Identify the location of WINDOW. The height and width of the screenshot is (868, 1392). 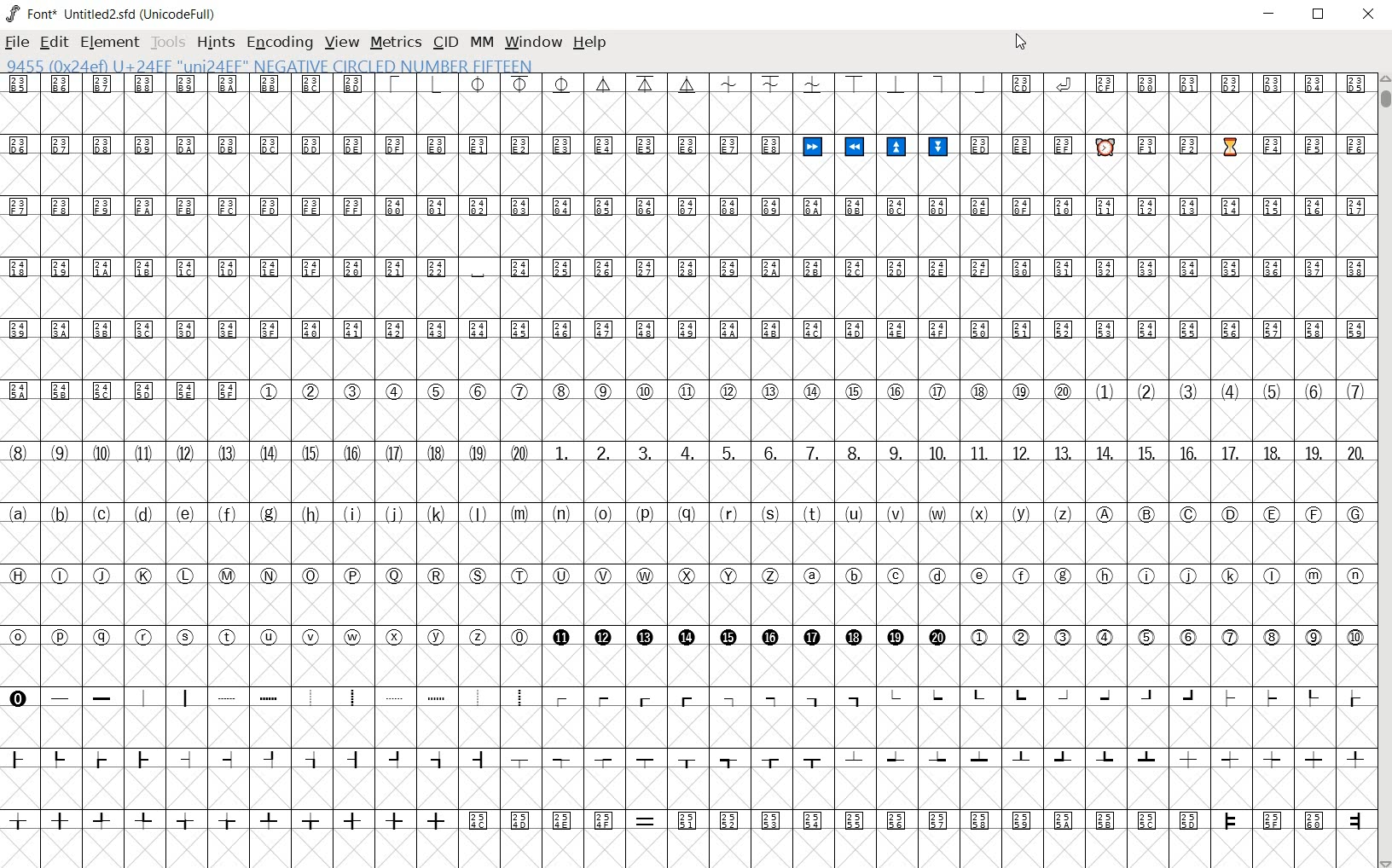
(532, 41).